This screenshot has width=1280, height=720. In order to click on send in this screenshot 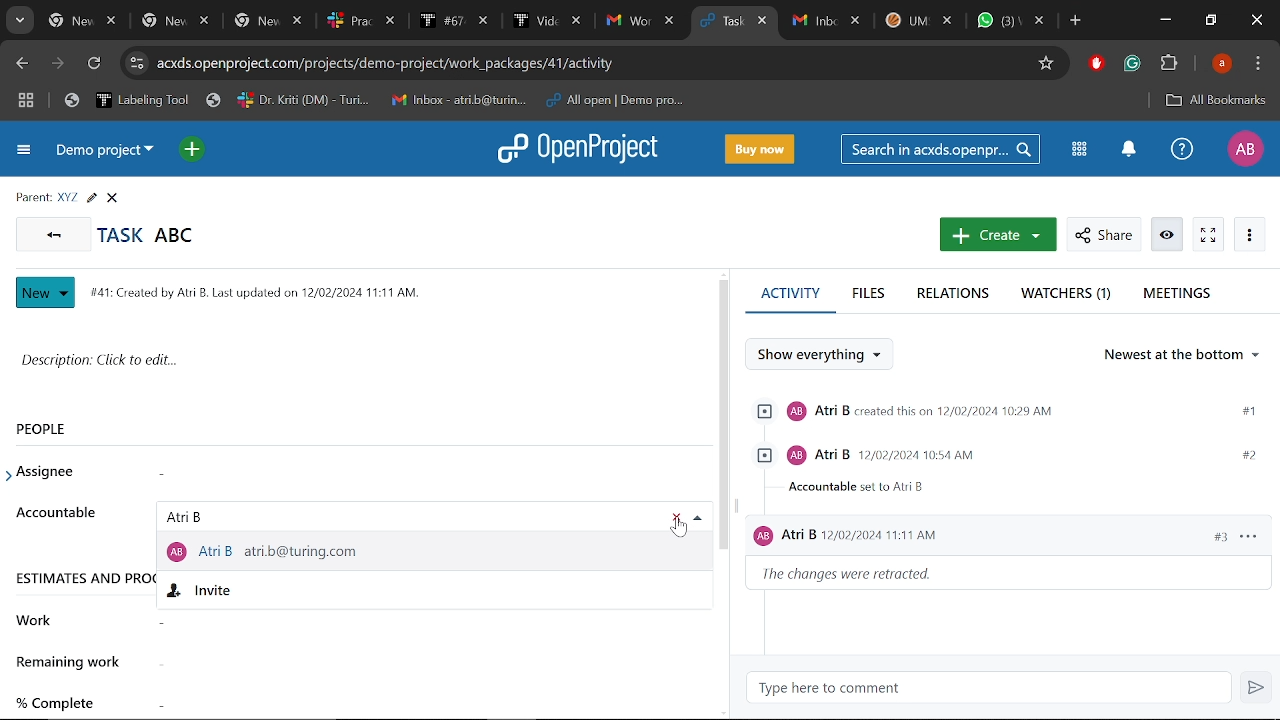, I will do `click(1258, 689)`.